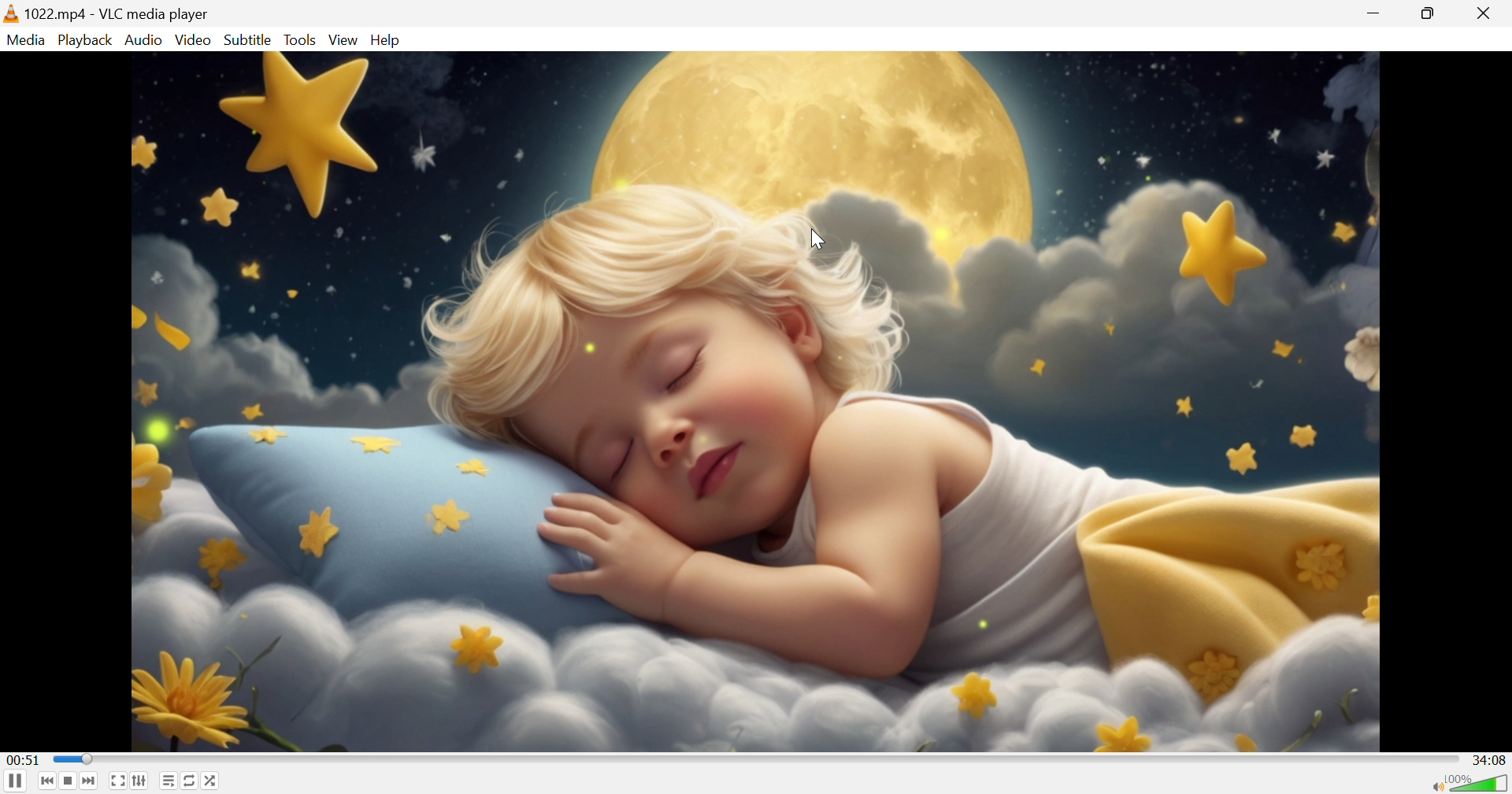 The image size is (1512, 794). What do you see at coordinates (343, 40) in the screenshot?
I see `View` at bounding box center [343, 40].